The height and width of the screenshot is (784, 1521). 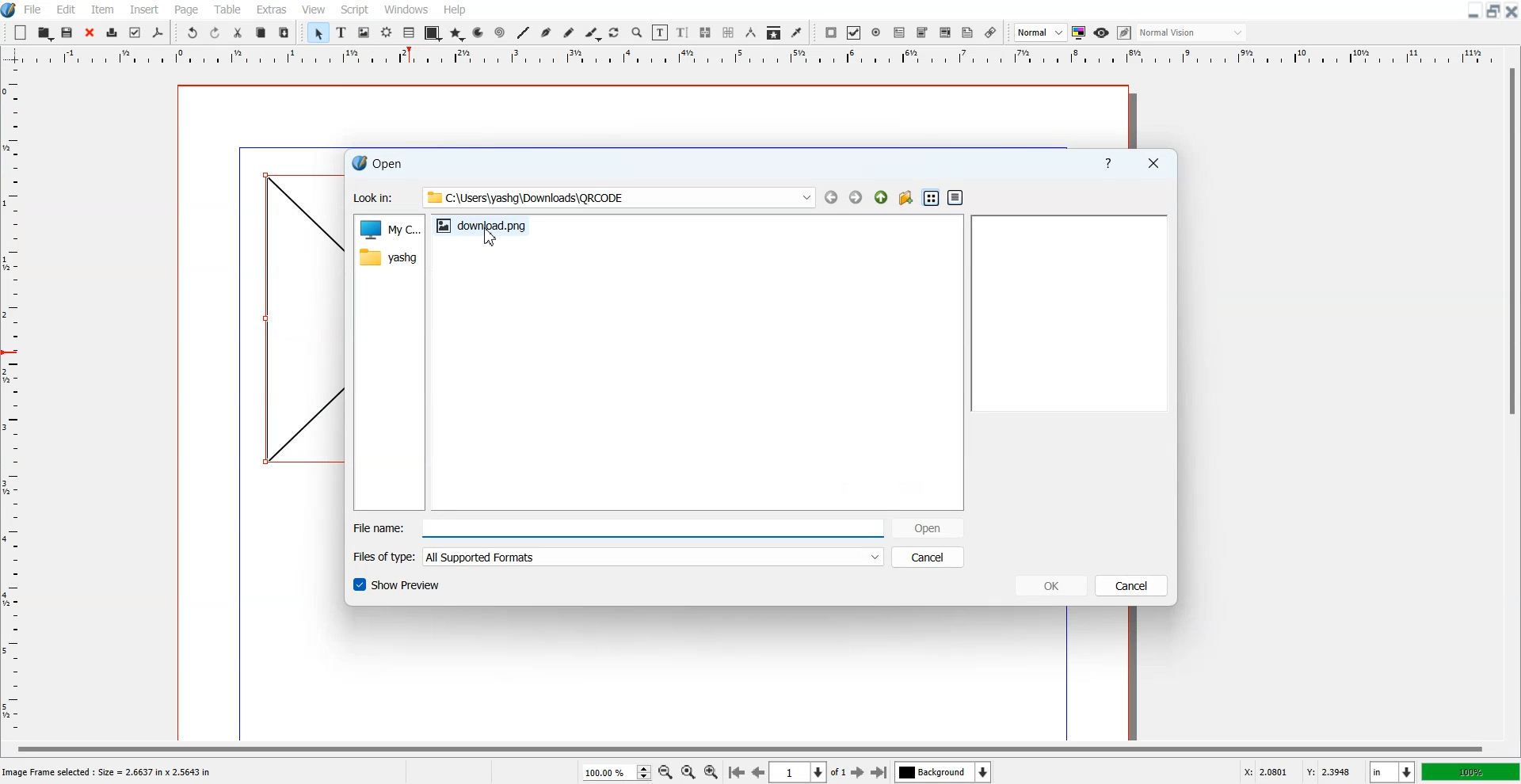 I want to click on Unlink Text frame, so click(x=729, y=32).